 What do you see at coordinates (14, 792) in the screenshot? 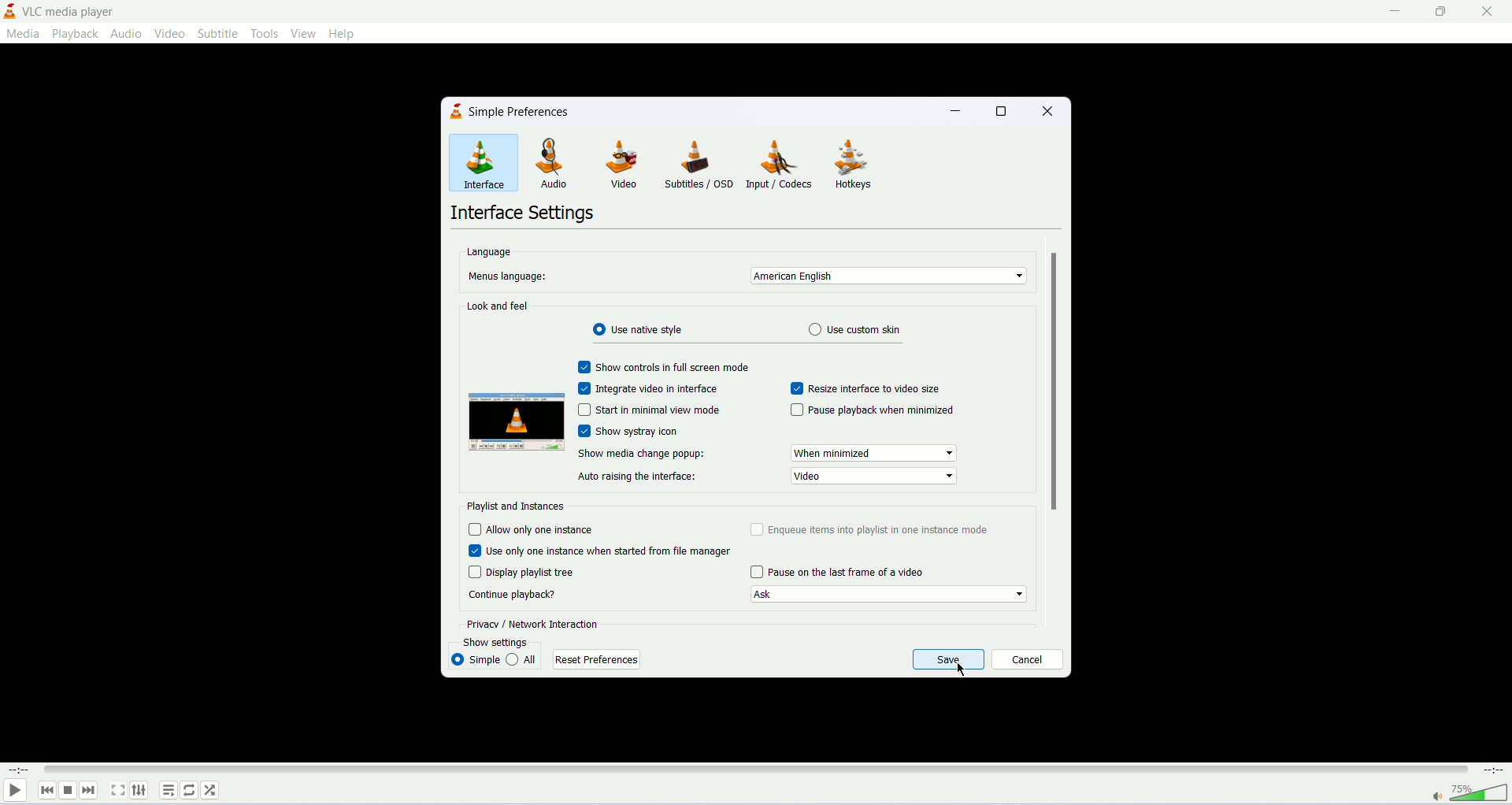
I see `play` at bounding box center [14, 792].